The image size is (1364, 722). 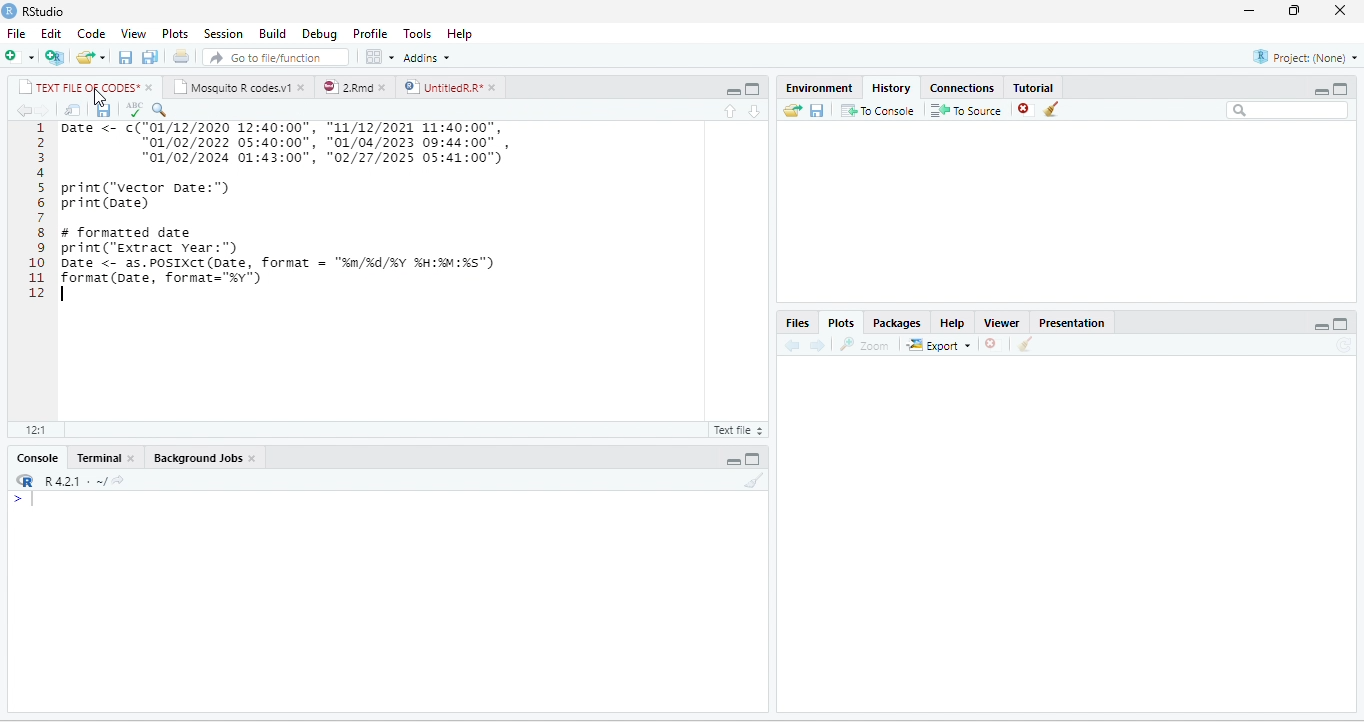 I want to click on forward, so click(x=43, y=110).